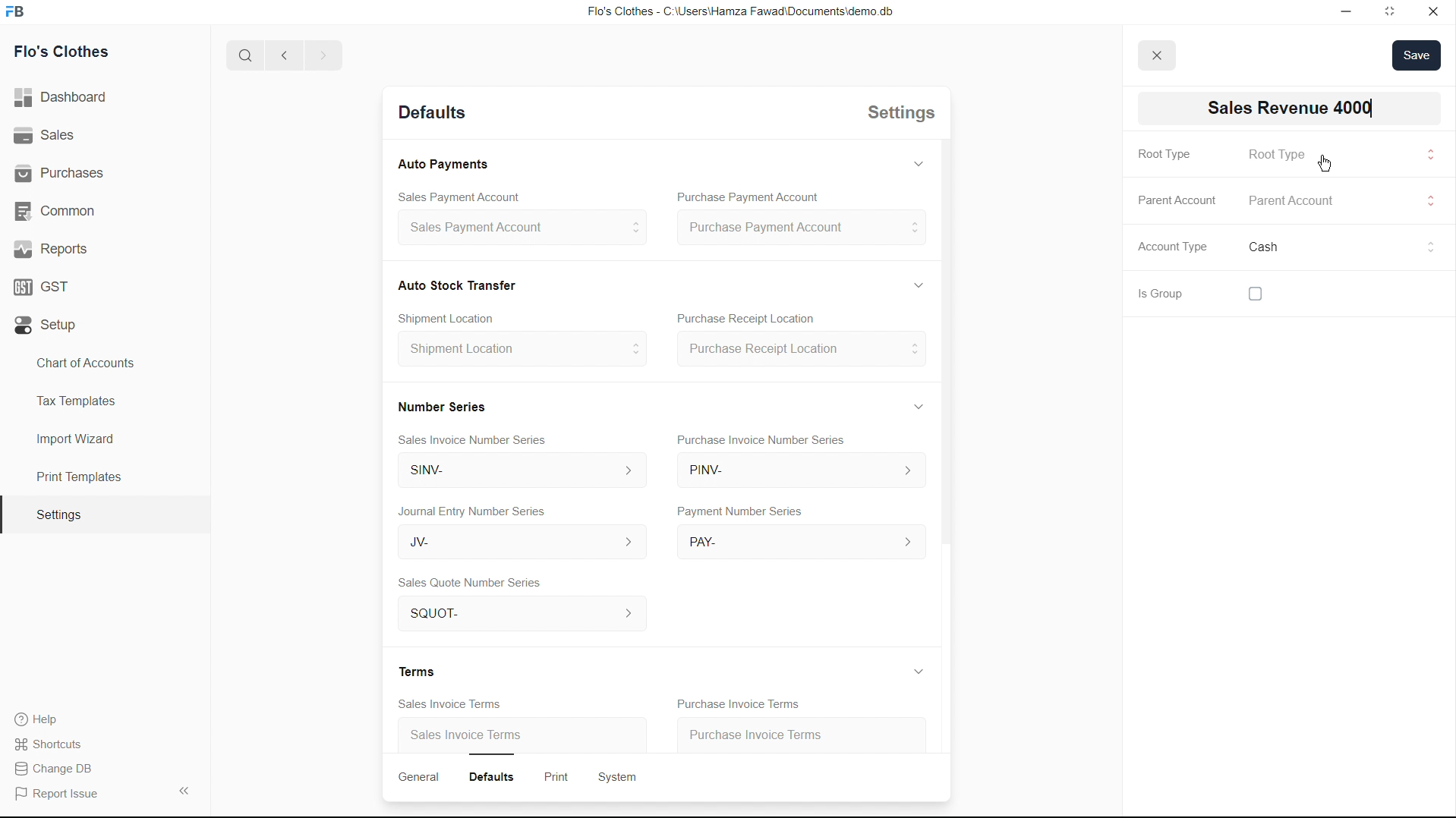  I want to click on Shipment Location, so click(521, 354).